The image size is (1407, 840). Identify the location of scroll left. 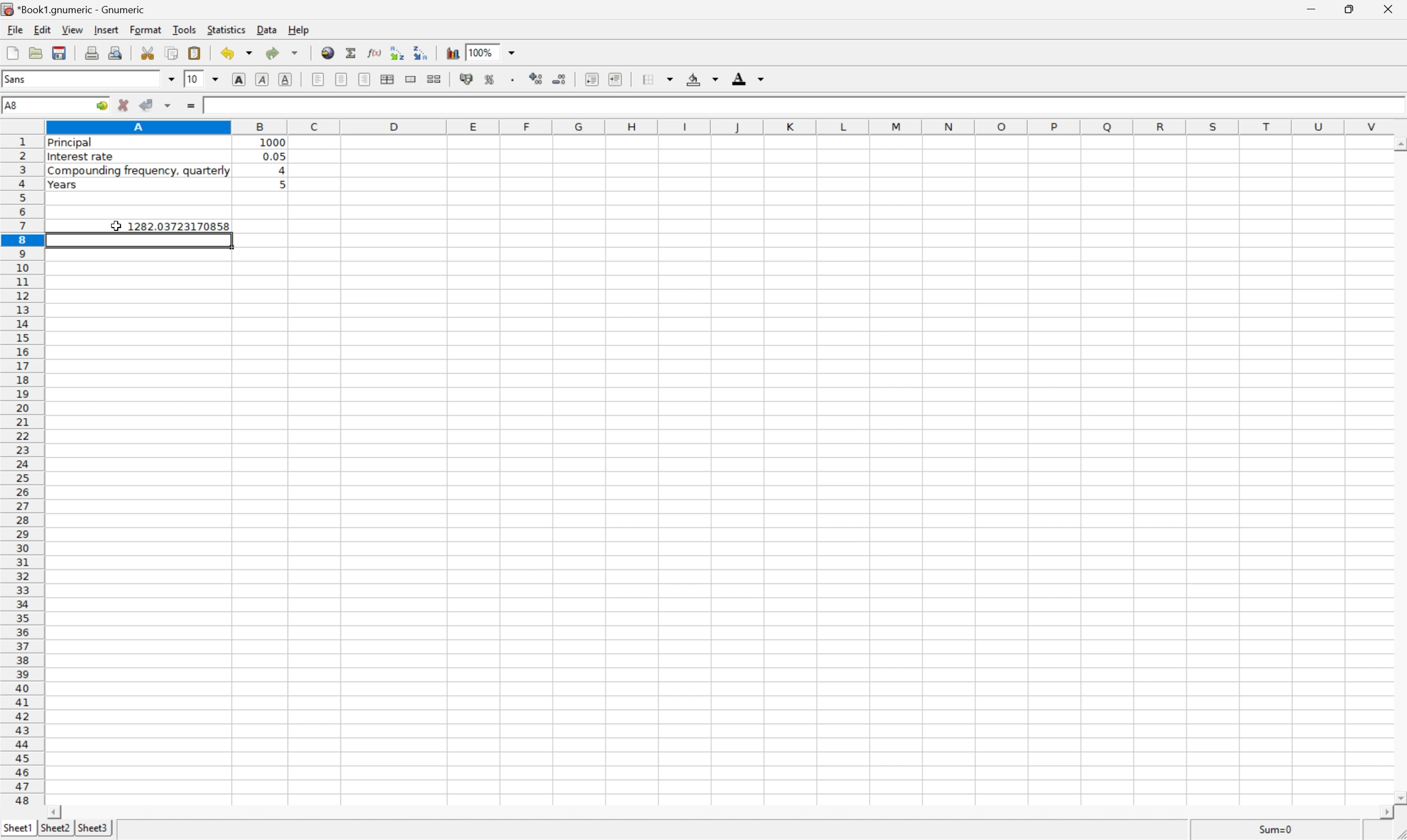
(57, 812).